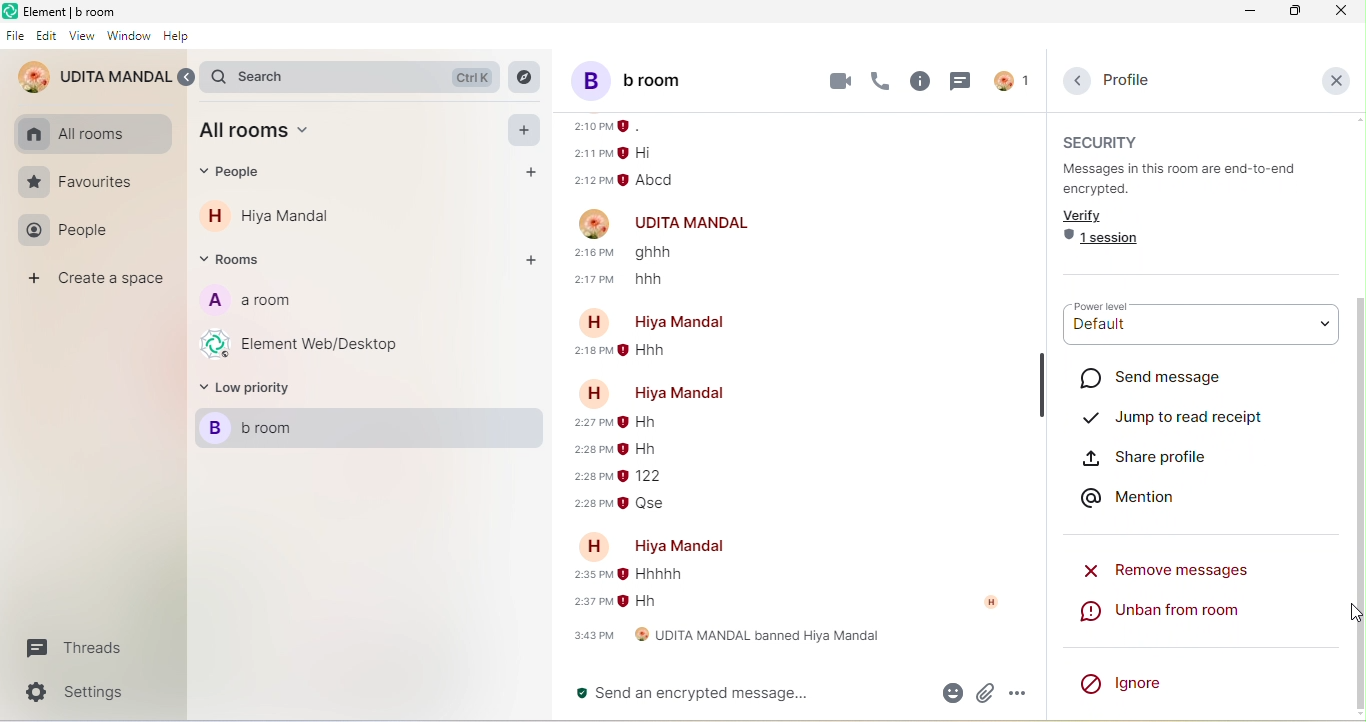 This screenshot has width=1366, height=722. I want to click on unban from room, so click(1191, 615).